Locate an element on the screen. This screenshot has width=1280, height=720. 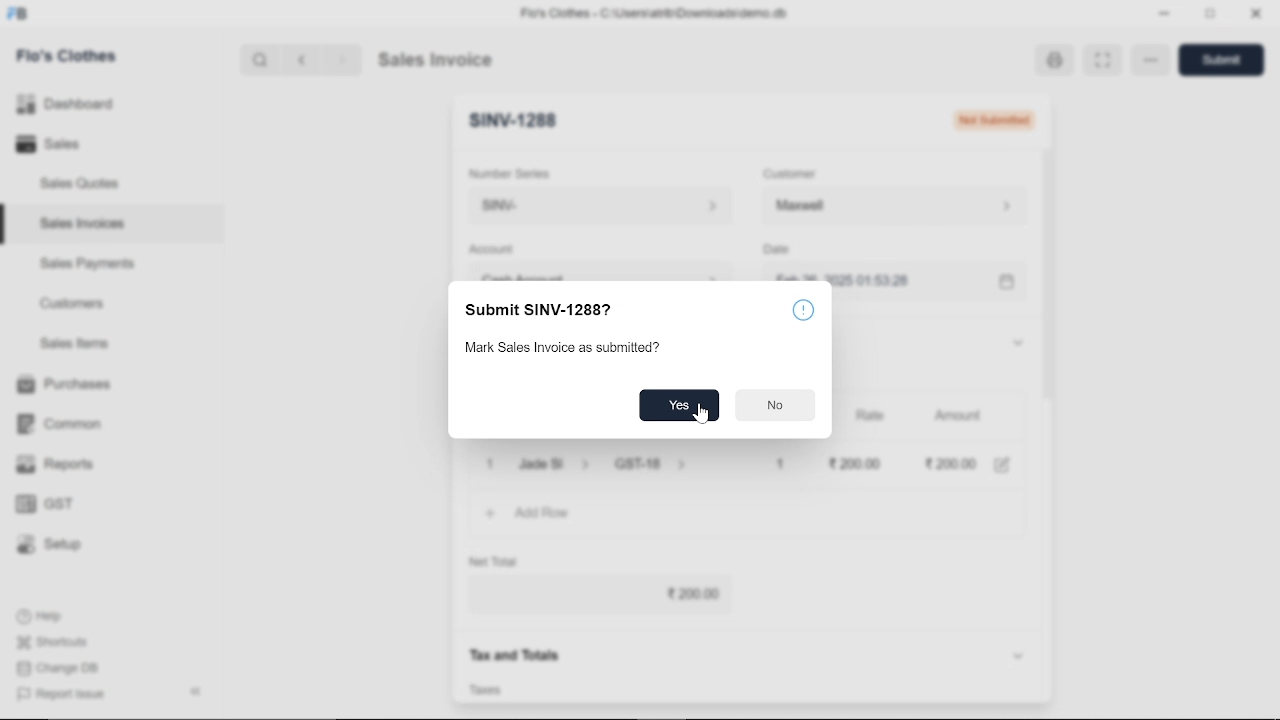
Yes  is located at coordinates (679, 405).